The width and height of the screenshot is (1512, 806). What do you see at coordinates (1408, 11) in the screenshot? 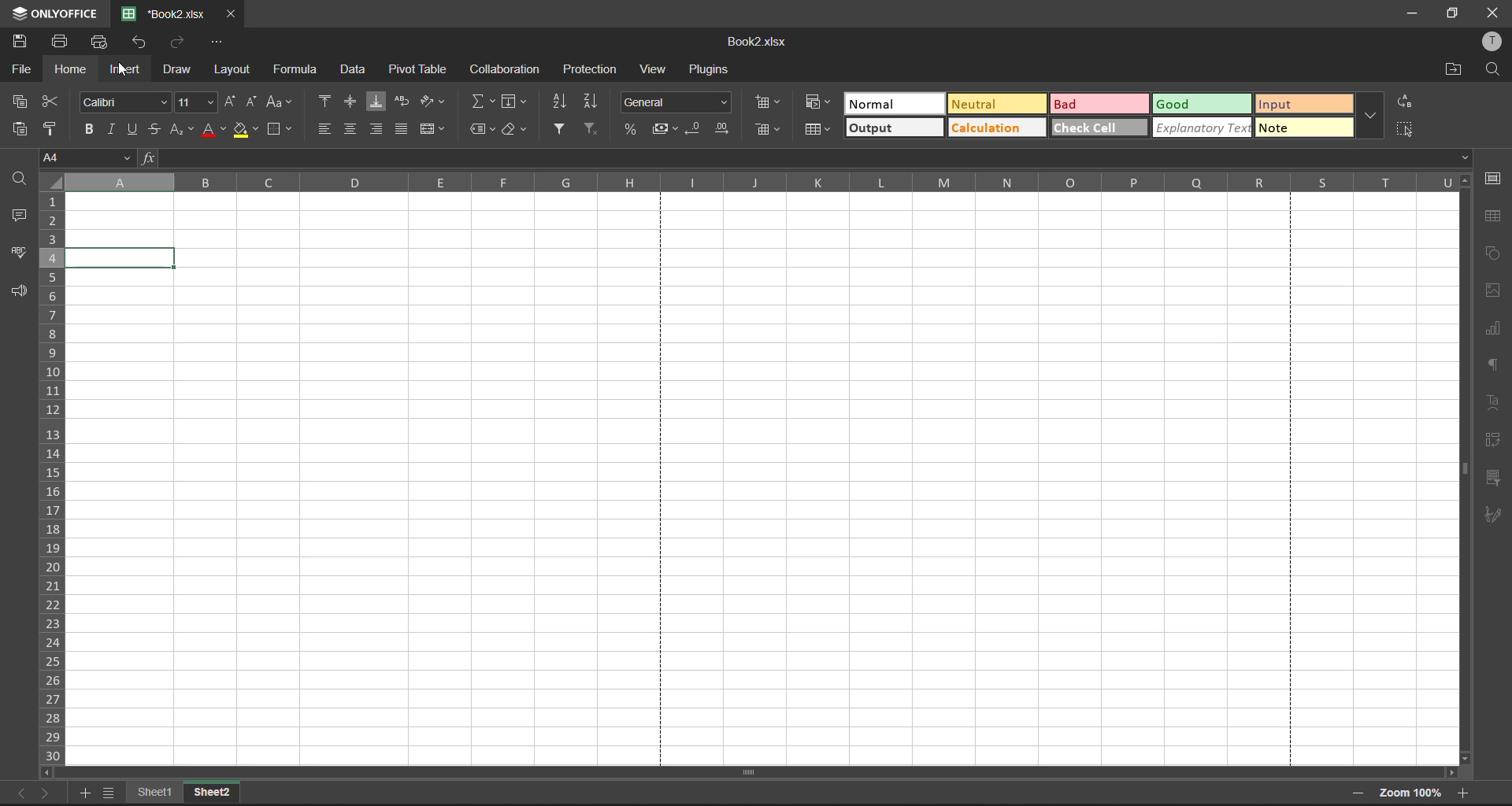
I see `minimize` at bounding box center [1408, 11].